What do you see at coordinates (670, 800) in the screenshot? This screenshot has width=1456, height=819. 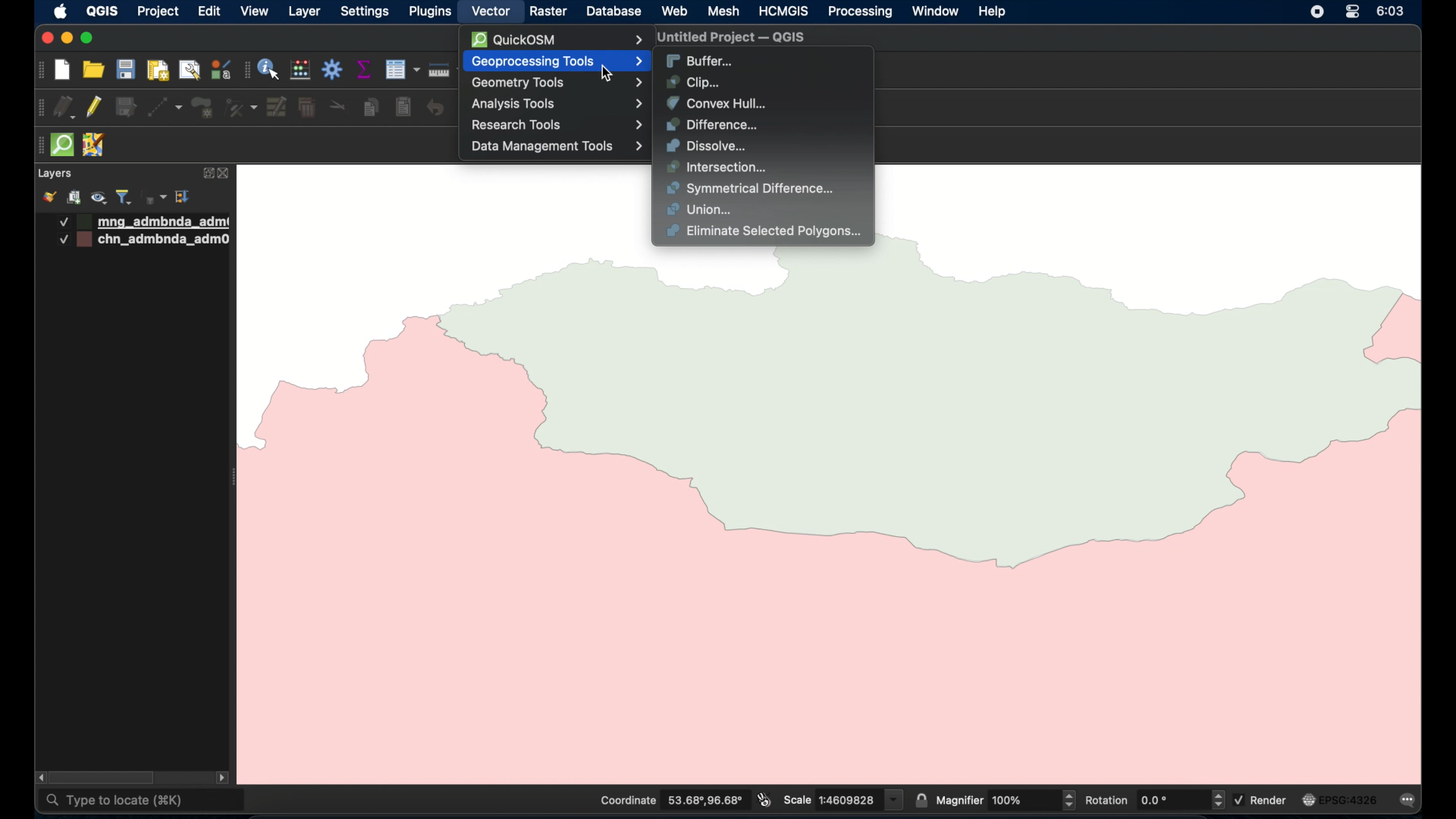 I see `coordinate` at bounding box center [670, 800].